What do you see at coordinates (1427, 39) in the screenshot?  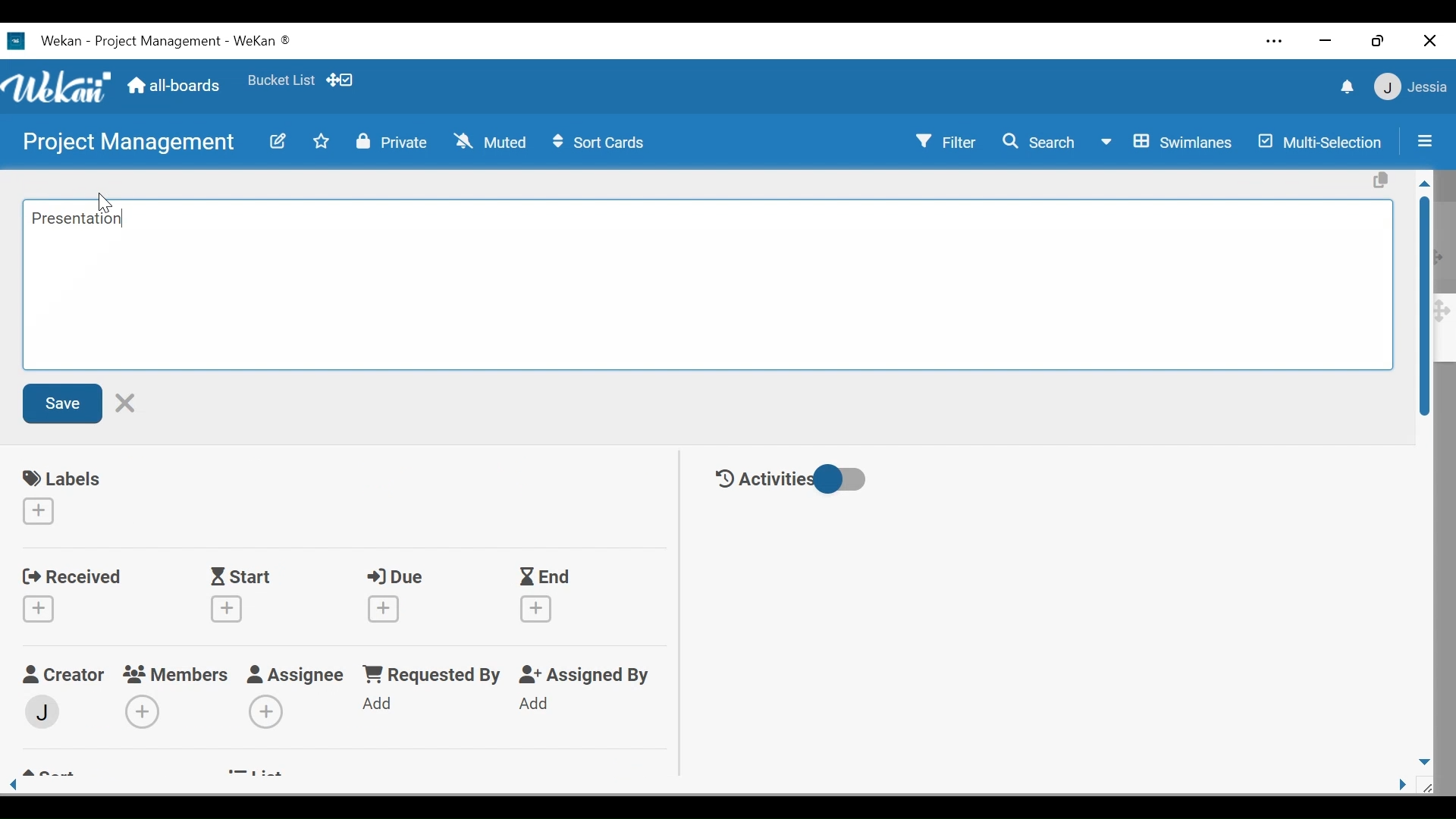 I see `Close` at bounding box center [1427, 39].